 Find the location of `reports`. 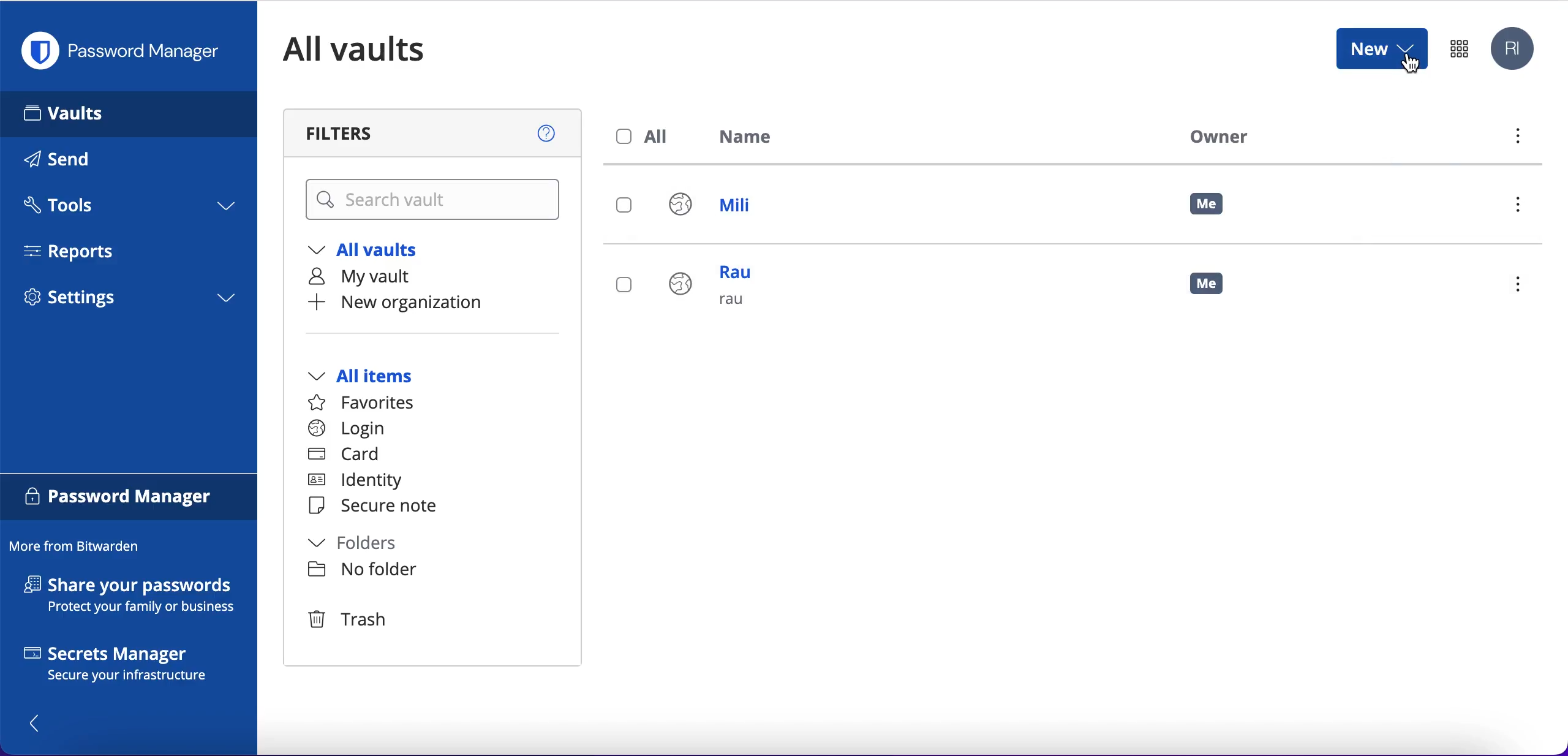

reports is located at coordinates (78, 251).